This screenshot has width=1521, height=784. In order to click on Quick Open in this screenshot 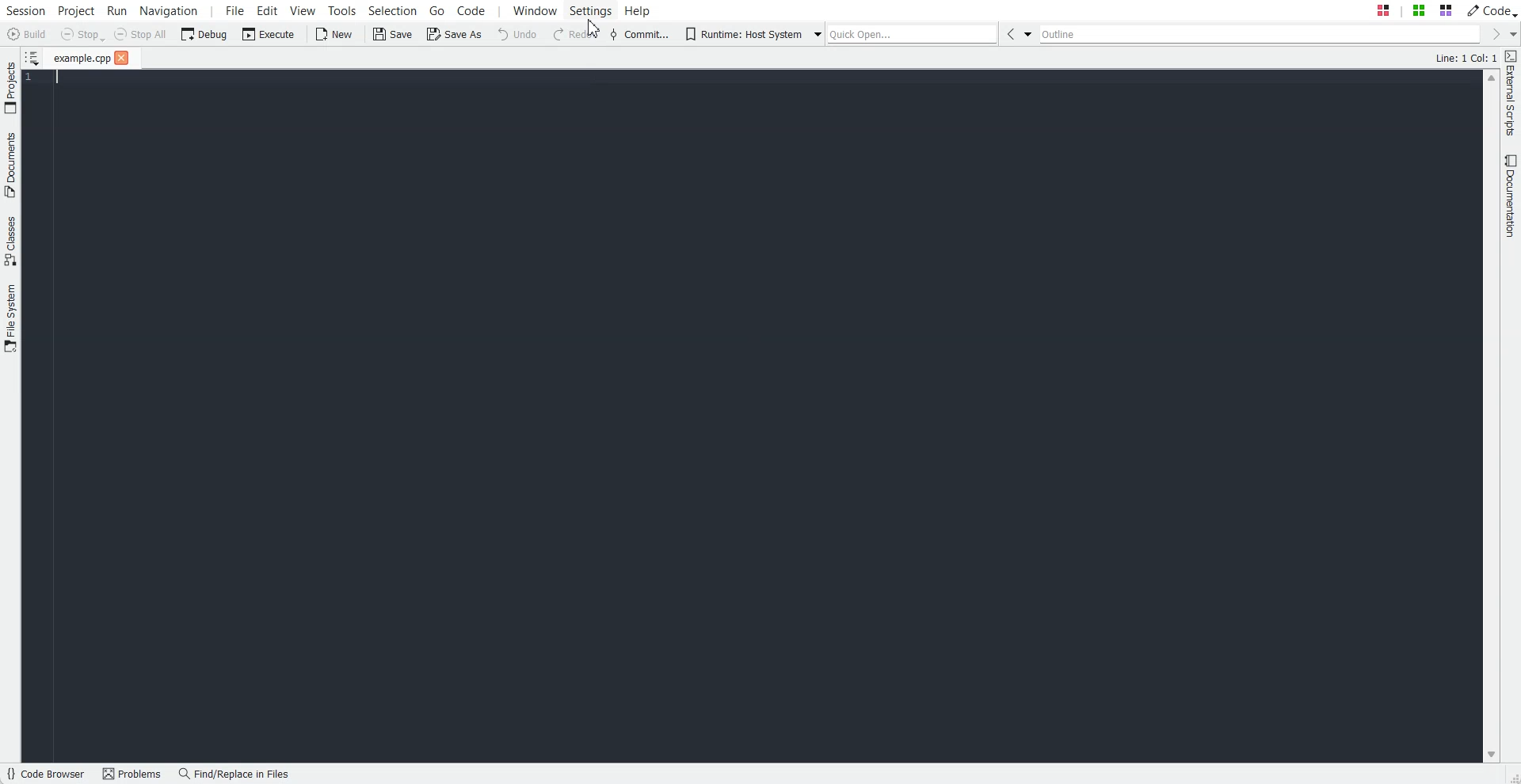, I will do `click(913, 33)`.